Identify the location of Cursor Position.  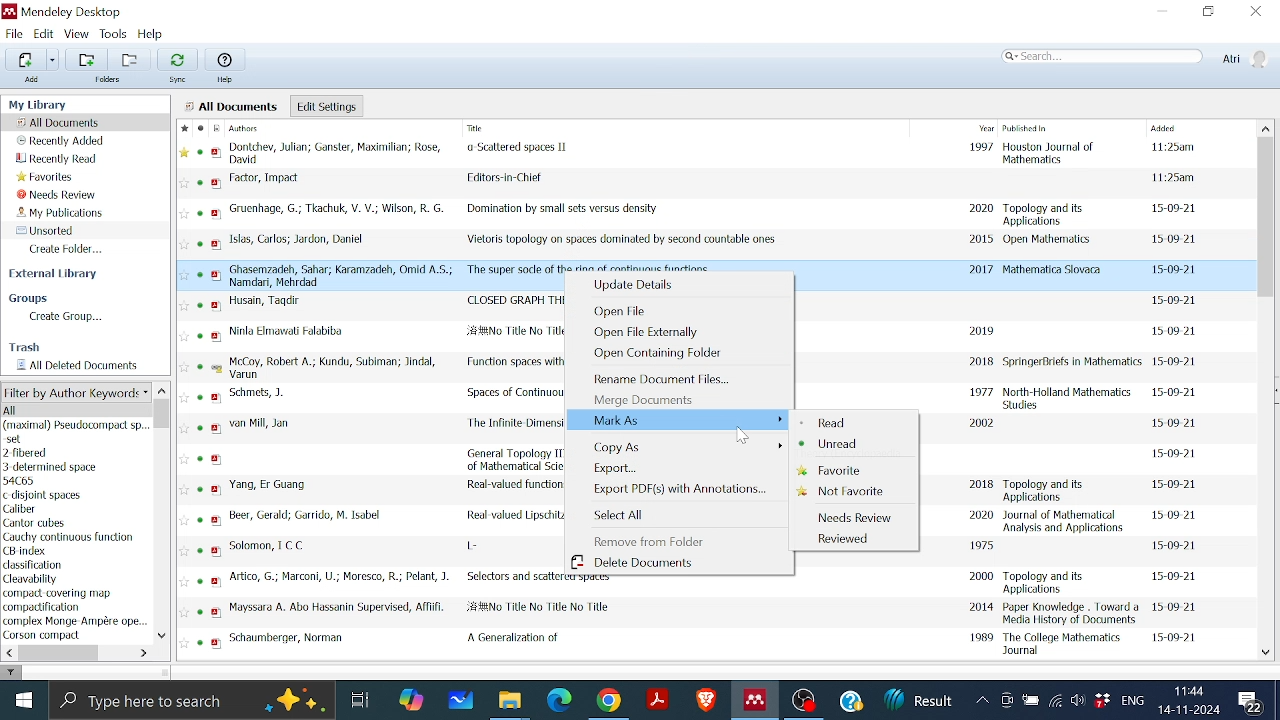
(744, 437).